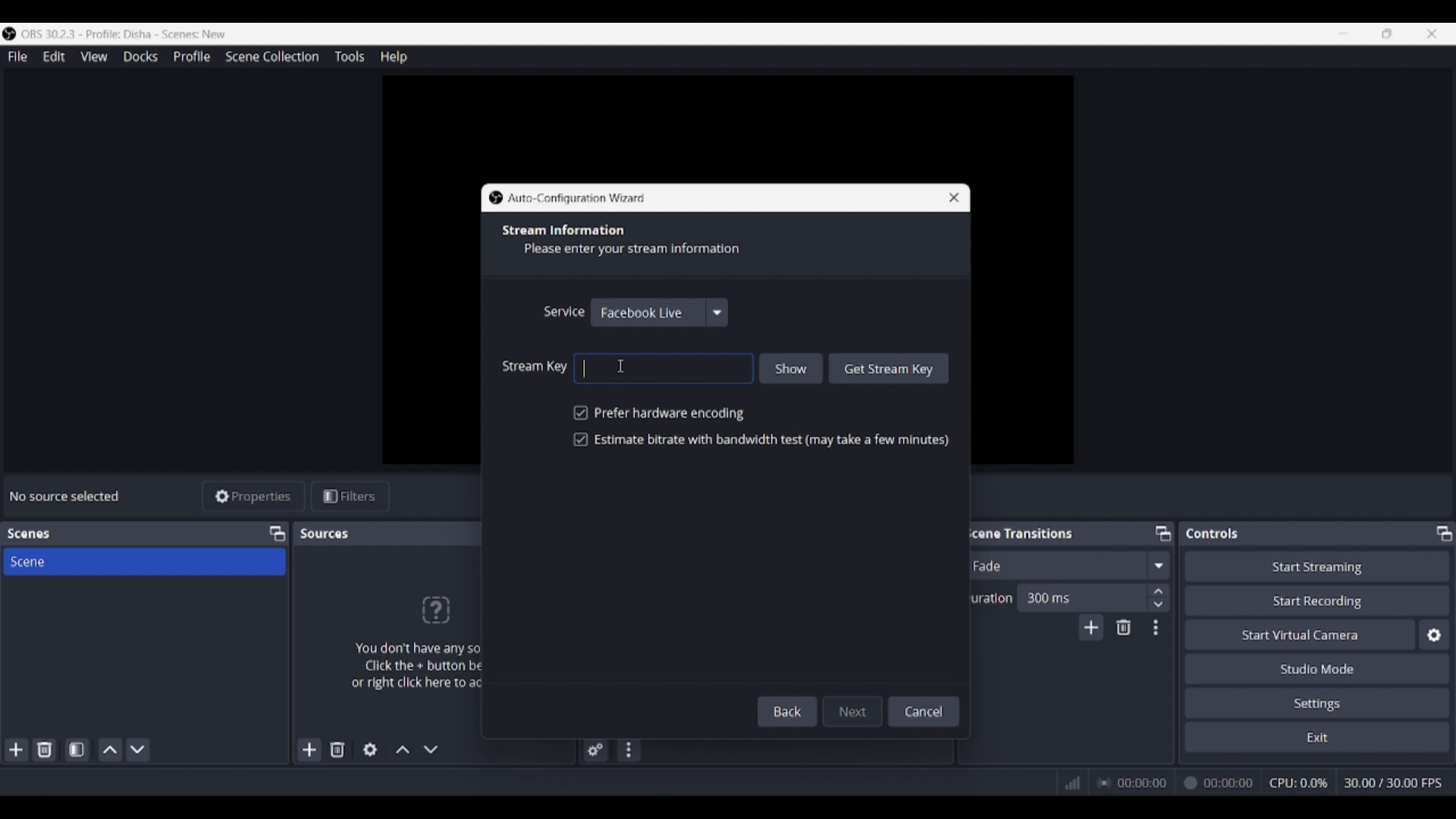 Image resolution: width=1456 pixels, height=819 pixels. Describe the element at coordinates (1090, 627) in the screenshot. I see `Add transition` at that location.